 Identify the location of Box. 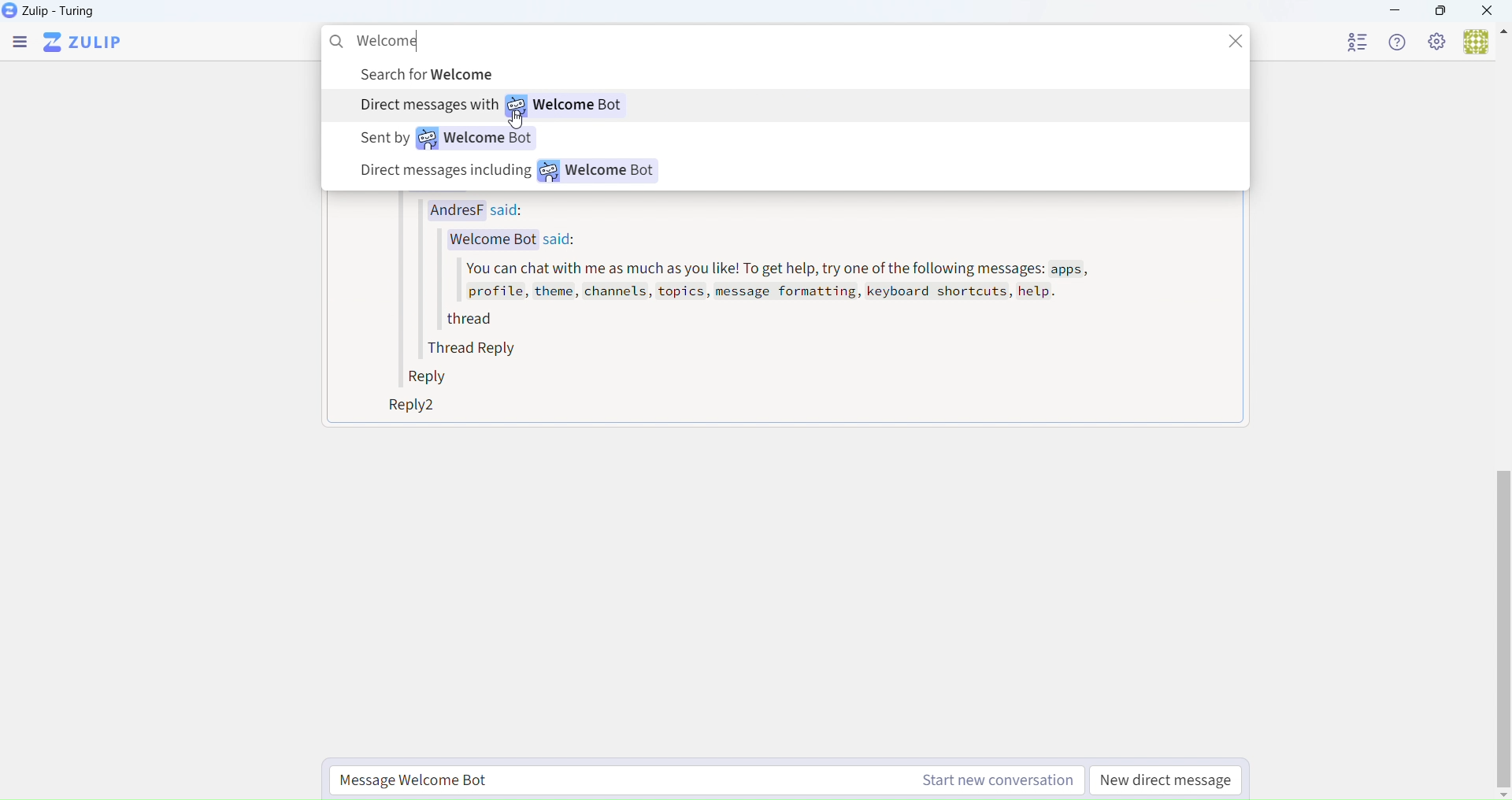
(1441, 10).